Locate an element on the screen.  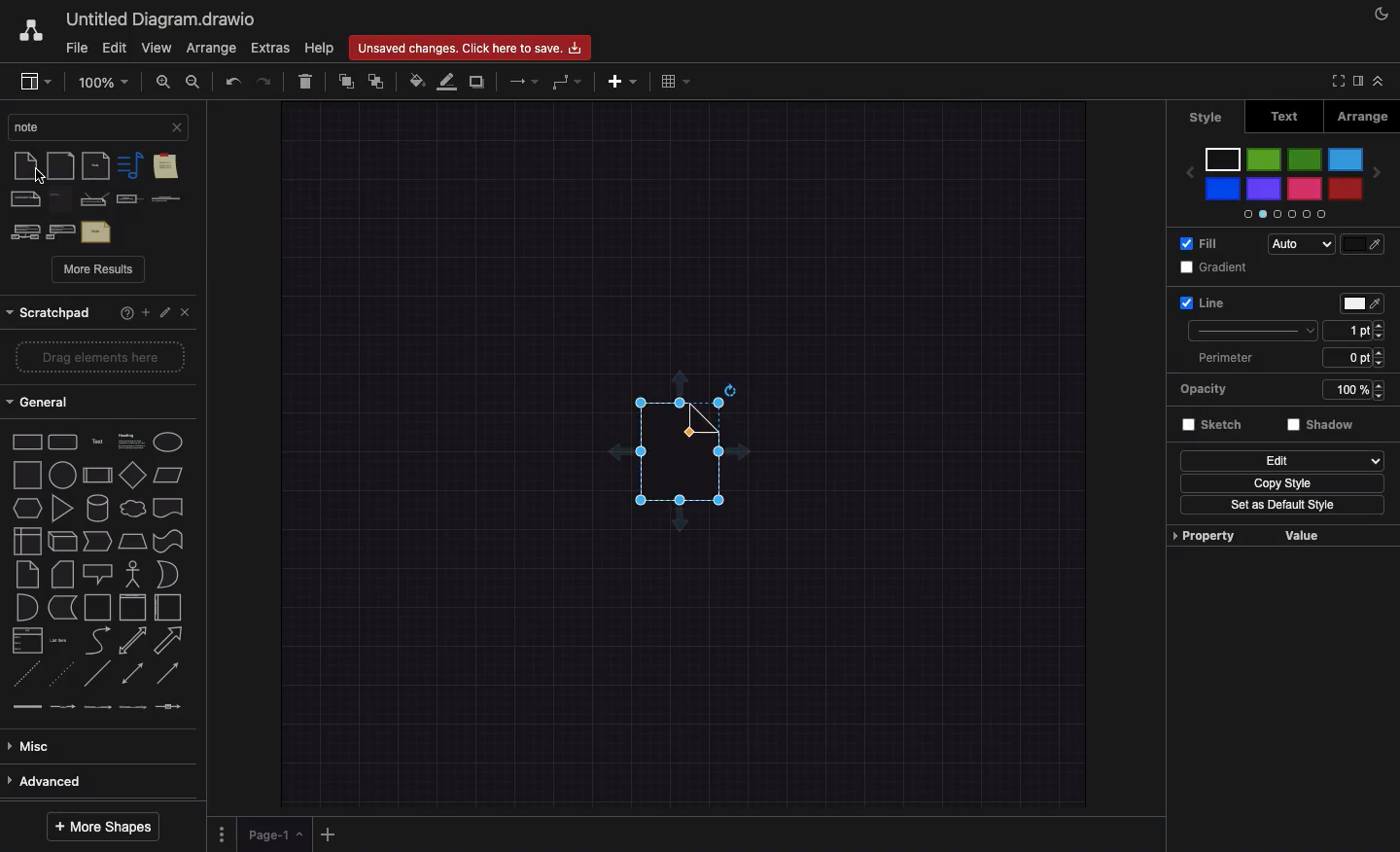
cloud is located at coordinates (134, 510).